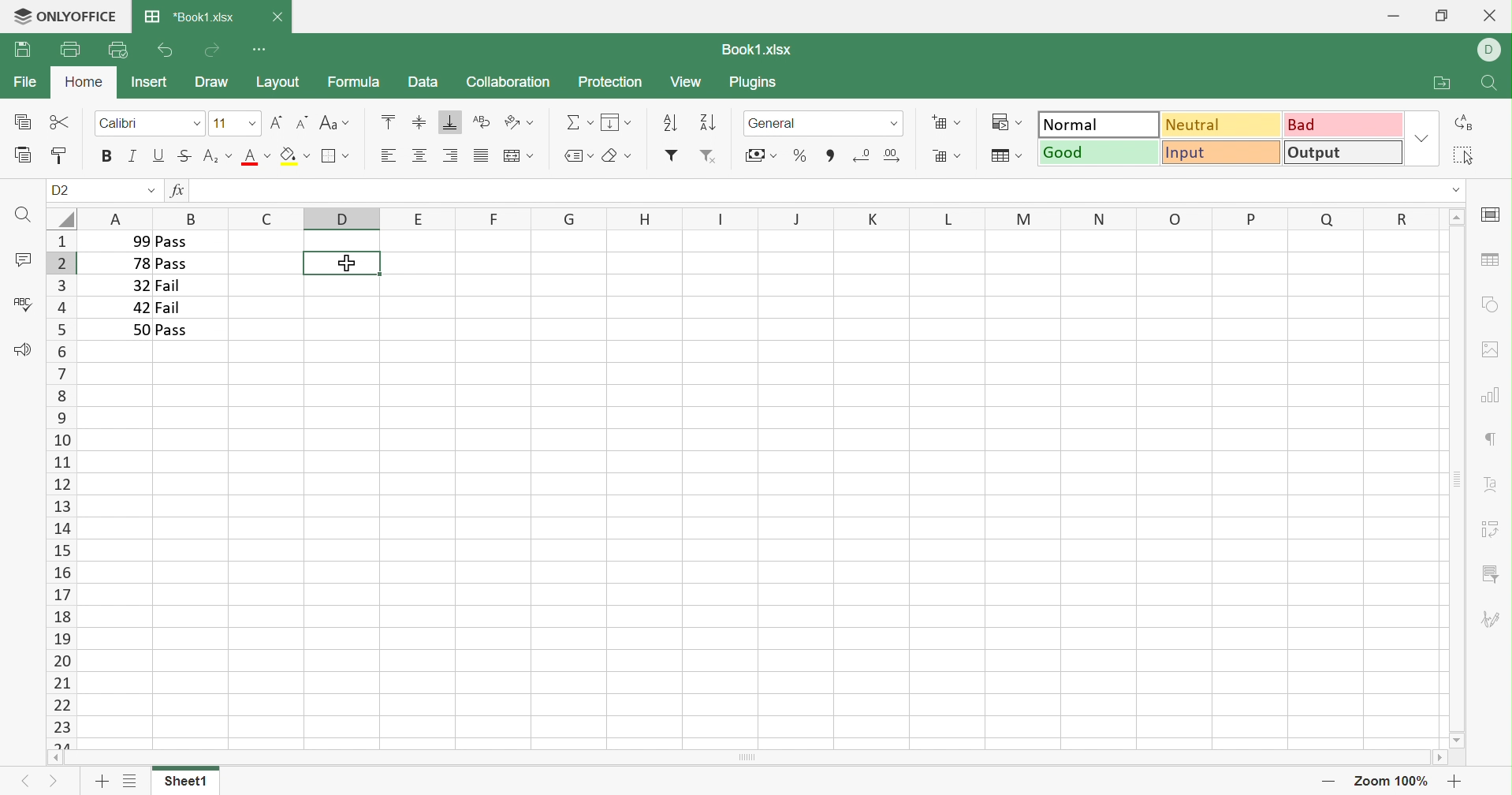 The image size is (1512, 795). What do you see at coordinates (184, 155) in the screenshot?
I see `Strikethrough` at bounding box center [184, 155].